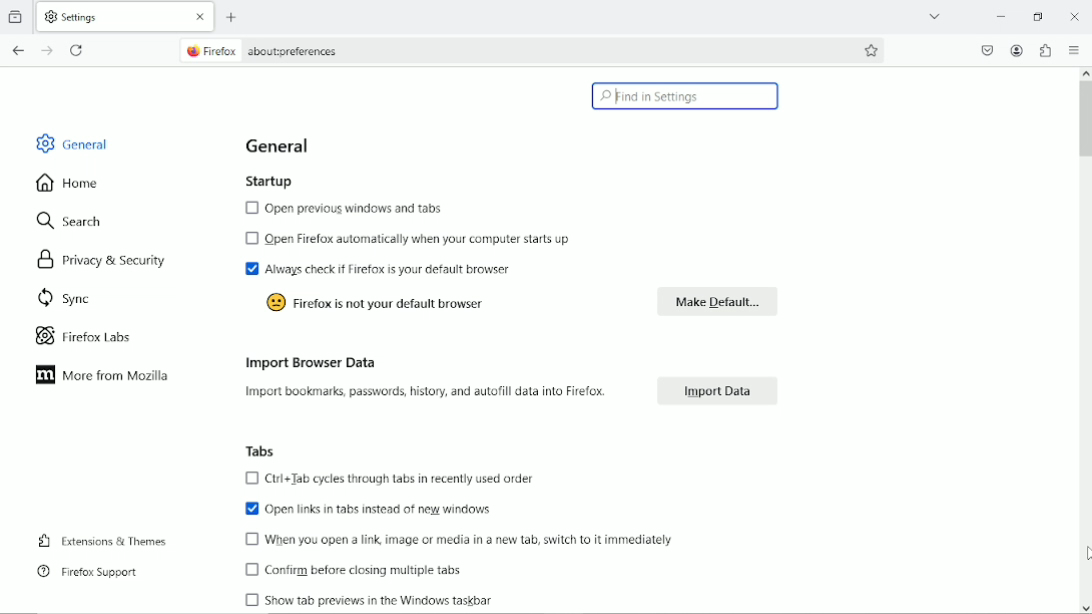  Describe the element at coordinates (410, 239) in the screenshot. I see `Open firefox automatically when your computer starts up` at that location.